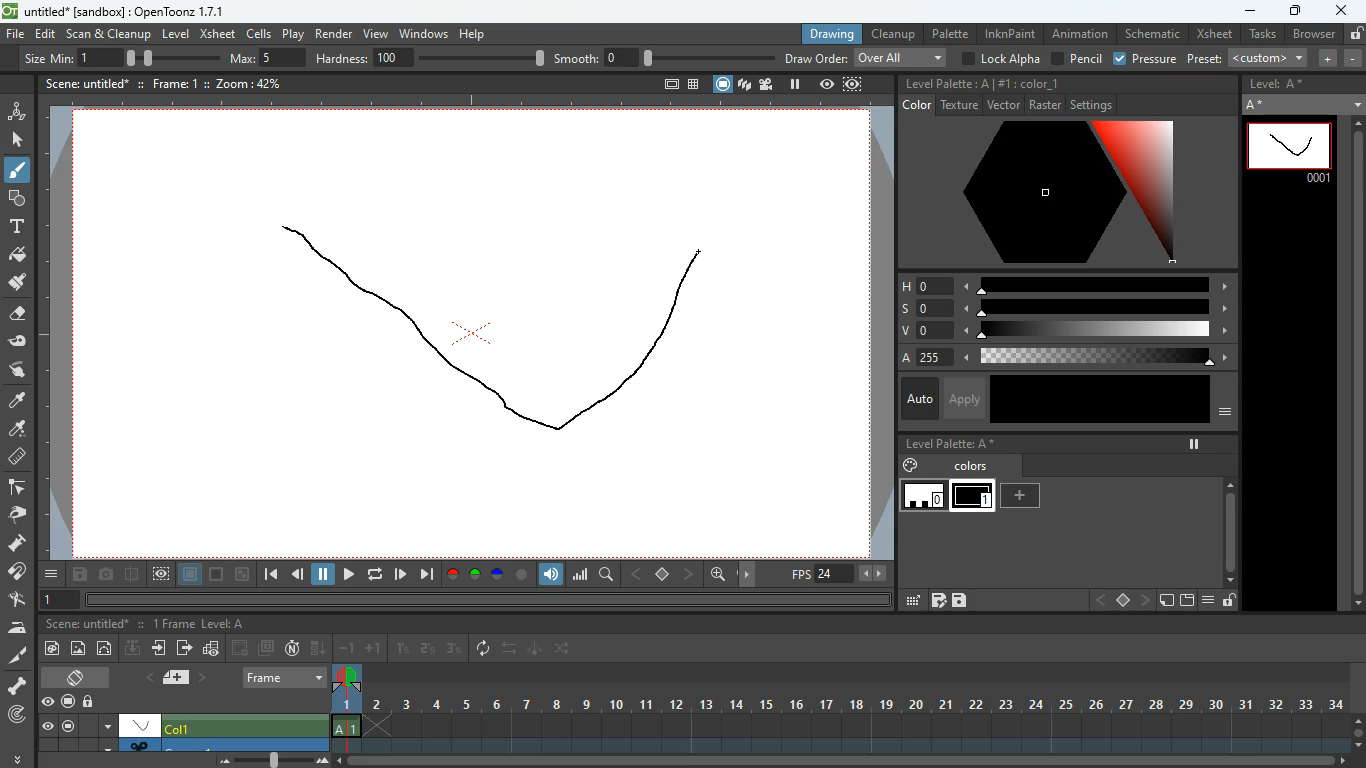  What do you see at coordinates (1226, 413) in the screenshot?
I see `menu` at bounding box center [1226, 413].